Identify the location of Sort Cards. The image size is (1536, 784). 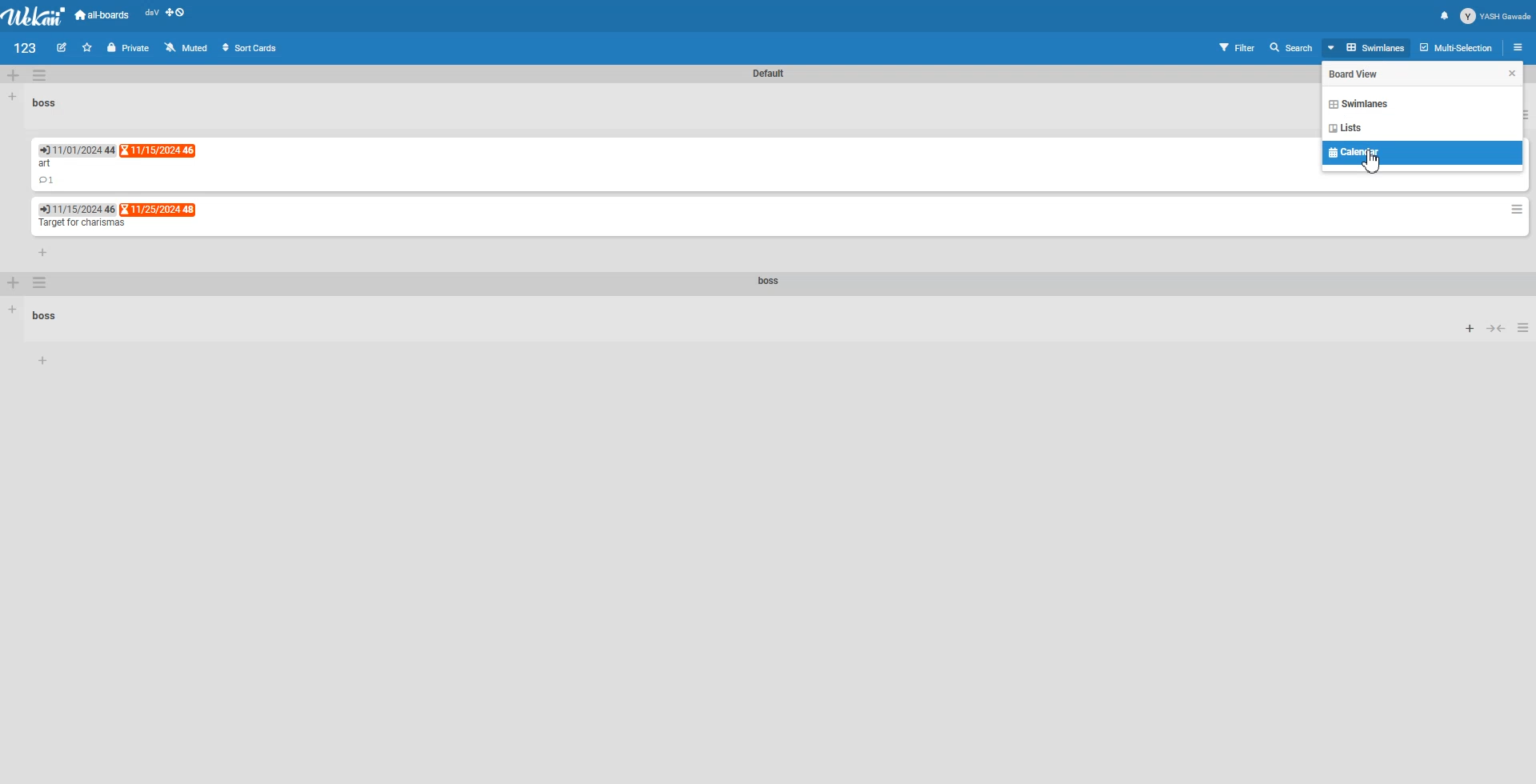
(252, 46).